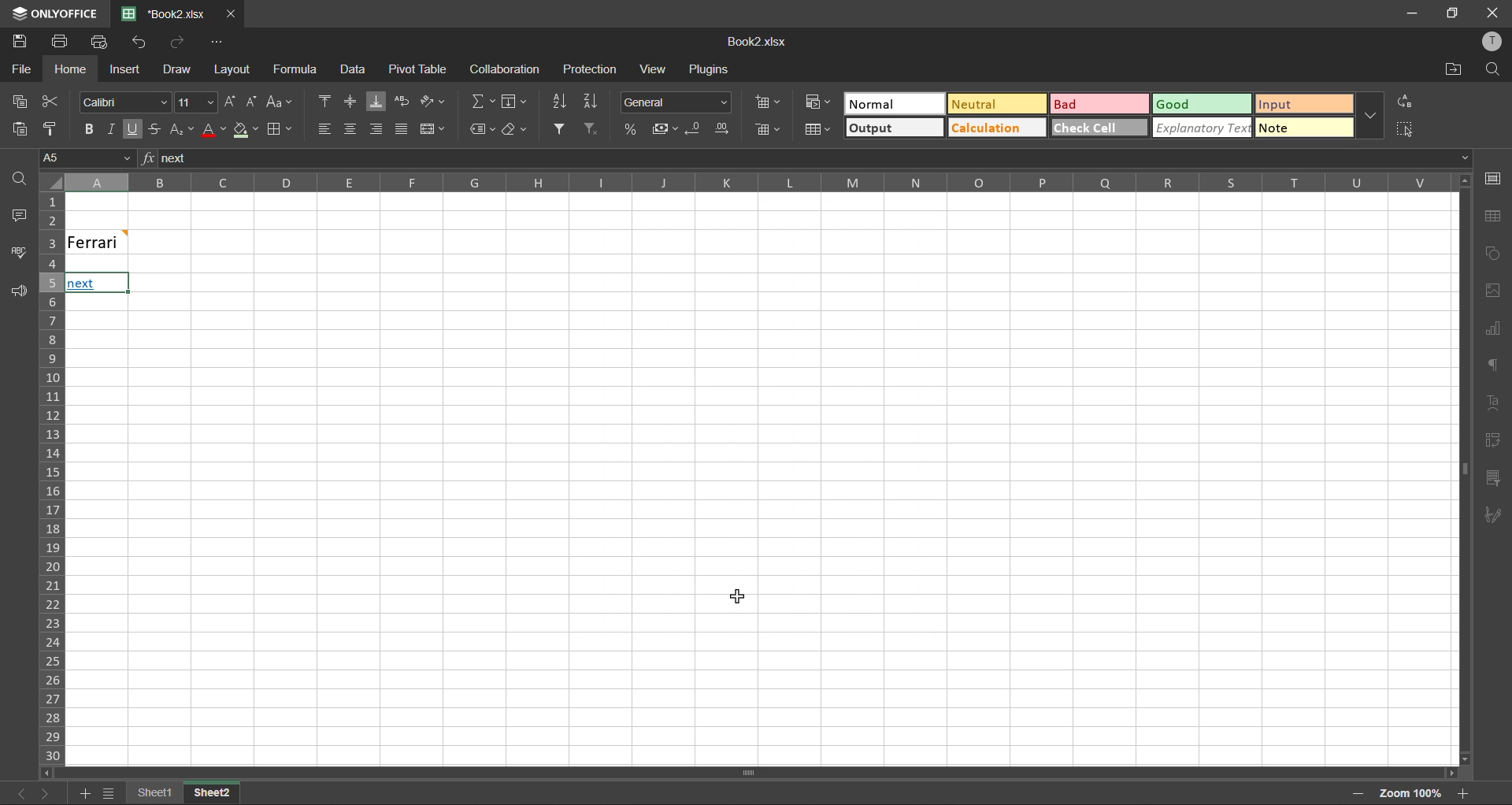 The image size is (1512, 805). I want to click on align  right, so click(377, 133).